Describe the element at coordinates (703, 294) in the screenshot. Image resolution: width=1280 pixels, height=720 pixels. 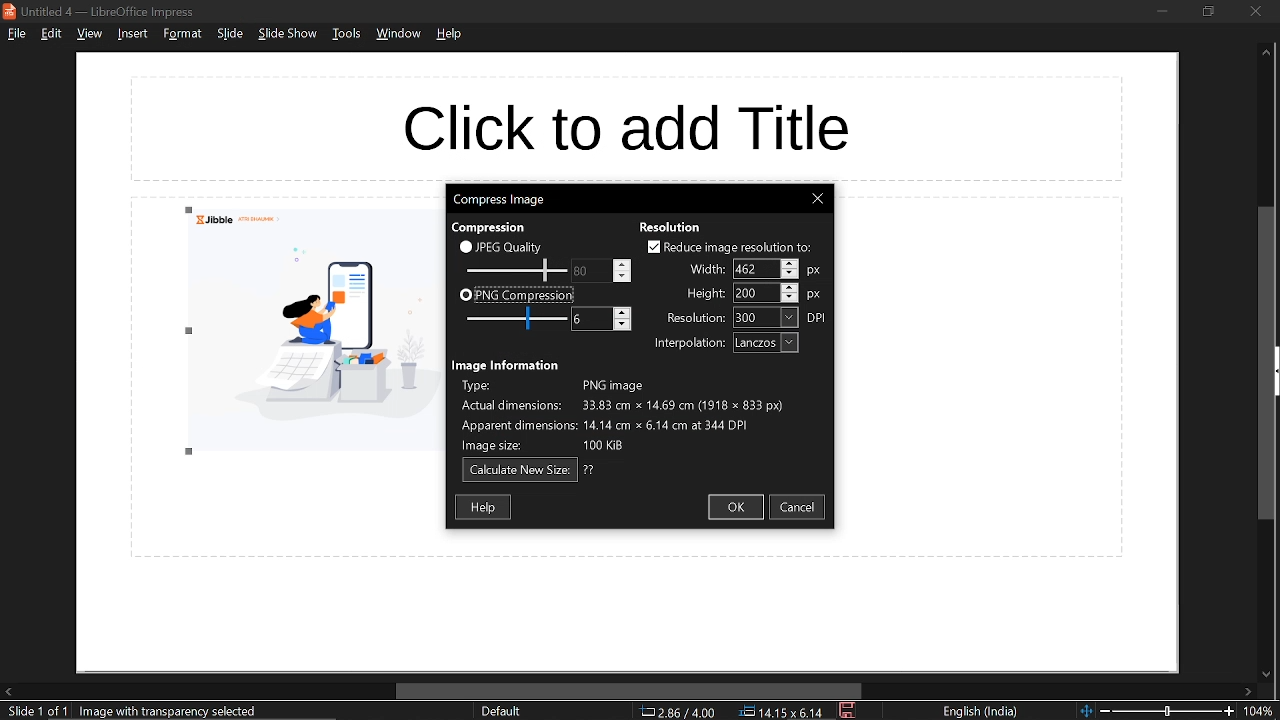
I see `height` at that location.